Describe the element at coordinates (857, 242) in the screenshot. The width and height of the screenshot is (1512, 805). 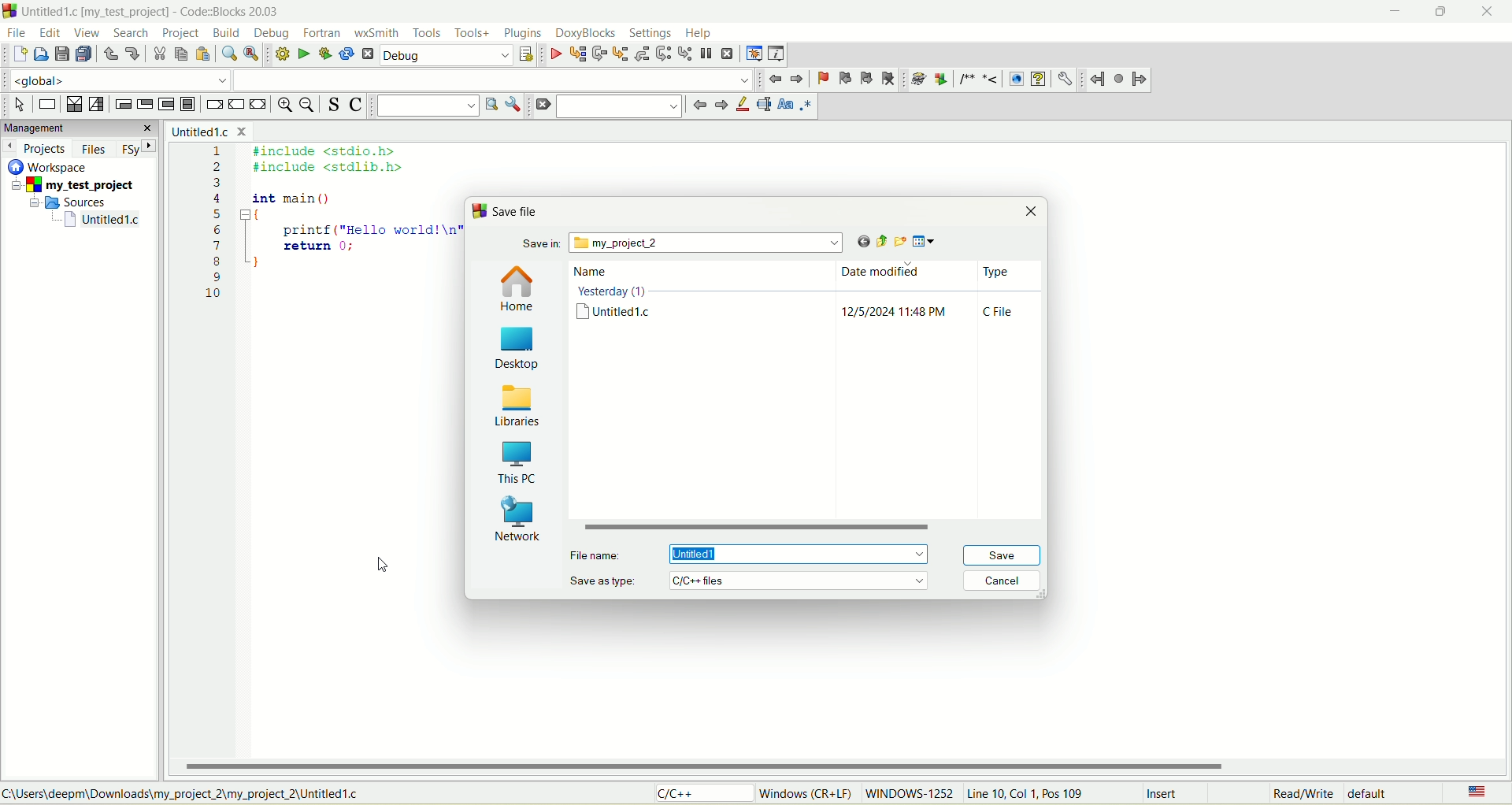
I see `go to last folder` at that location.